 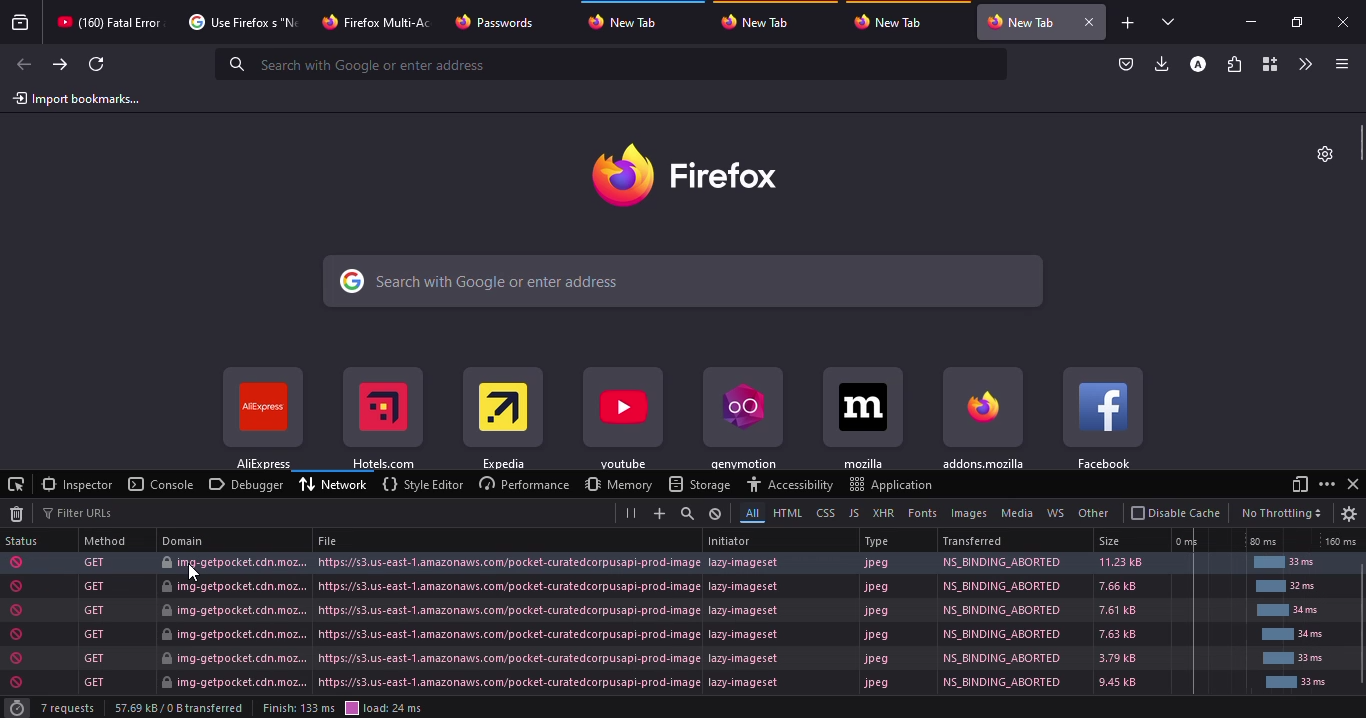 What do you see at coordinates (877, 542) in the screenshot?
I see `type` at bounding box center [877, 542].